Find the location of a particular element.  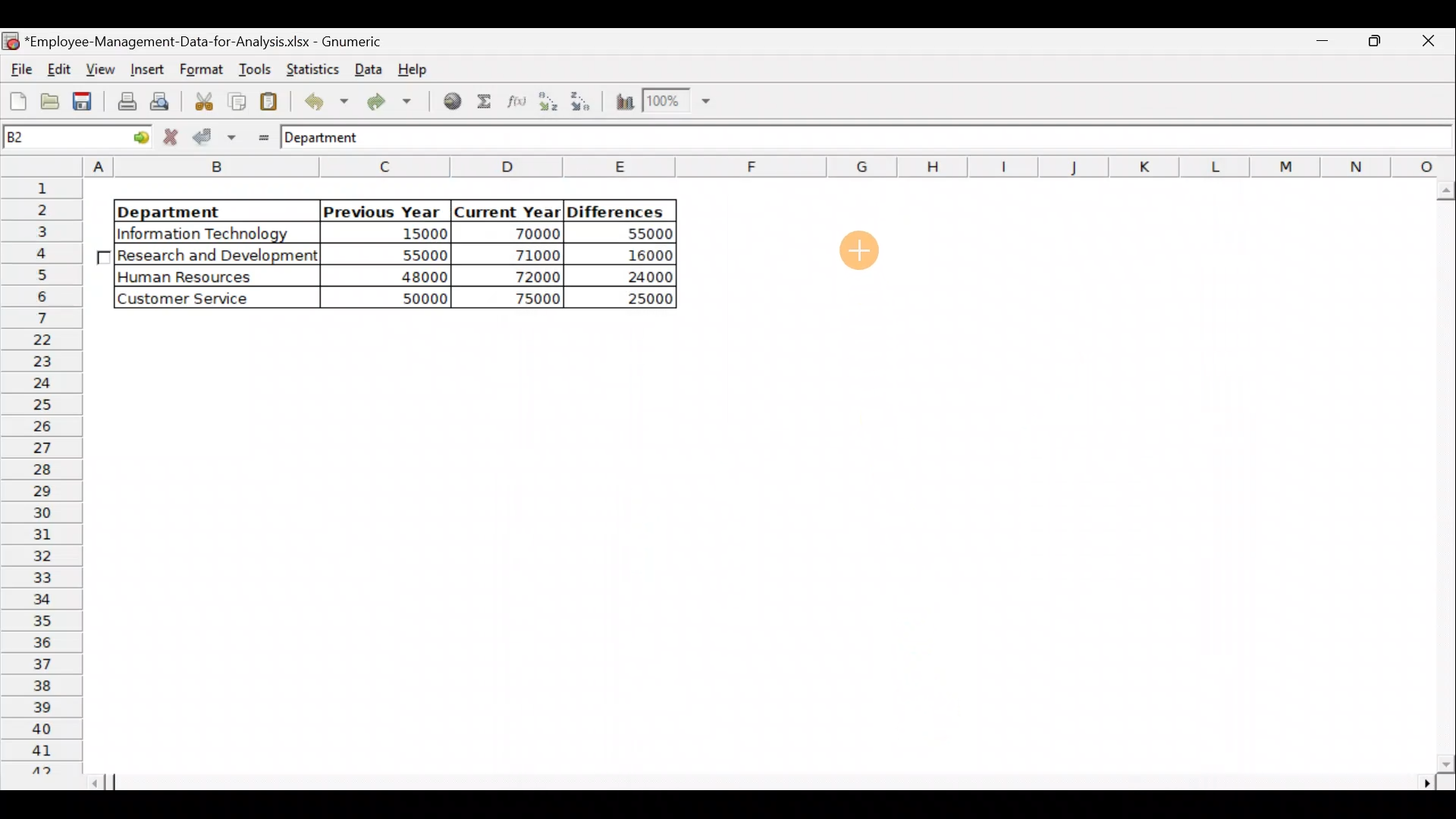

go to is located at coordinates (132, 139).